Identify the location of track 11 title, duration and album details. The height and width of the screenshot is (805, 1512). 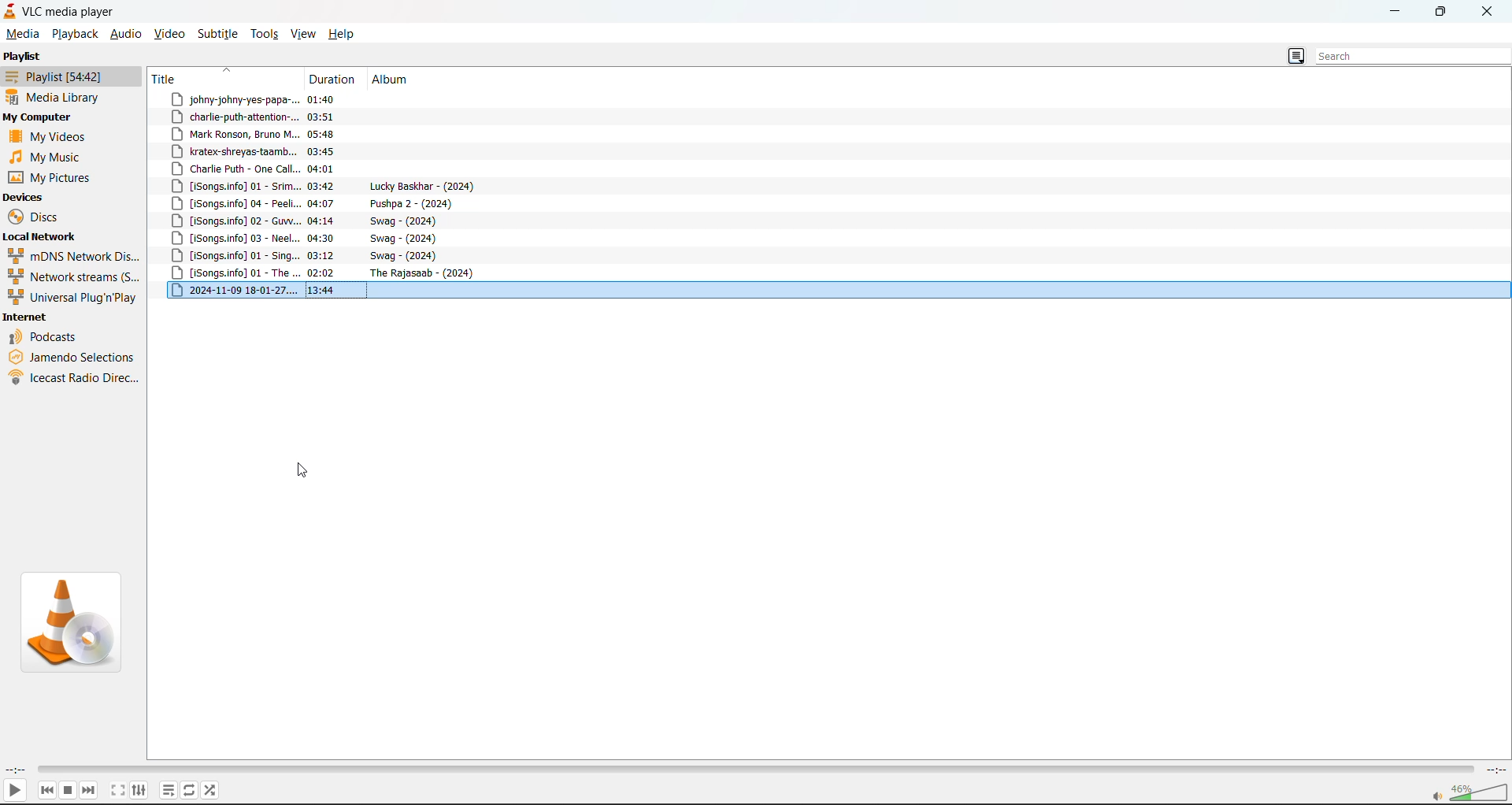
(328, 275).